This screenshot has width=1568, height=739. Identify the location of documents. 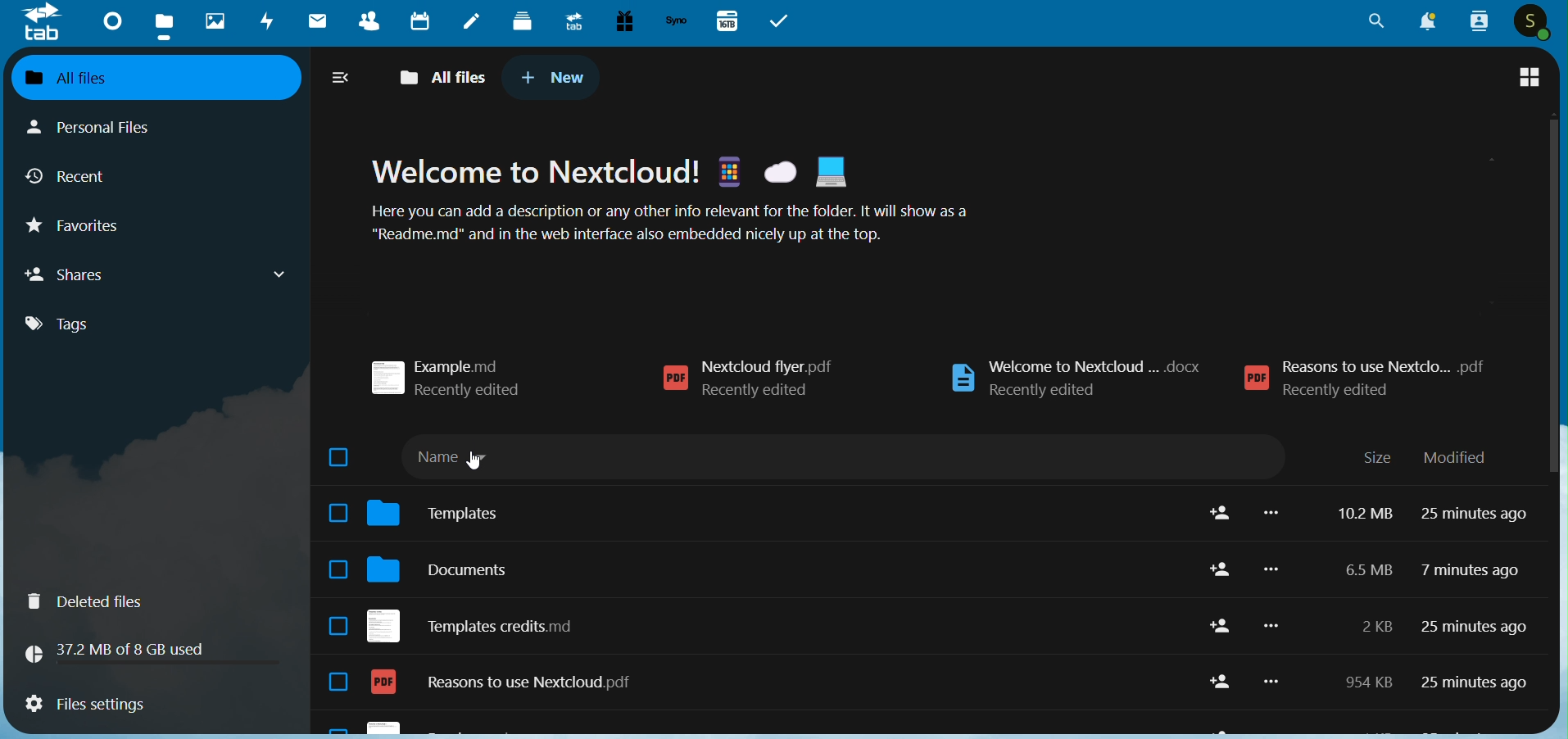
(444, 565).